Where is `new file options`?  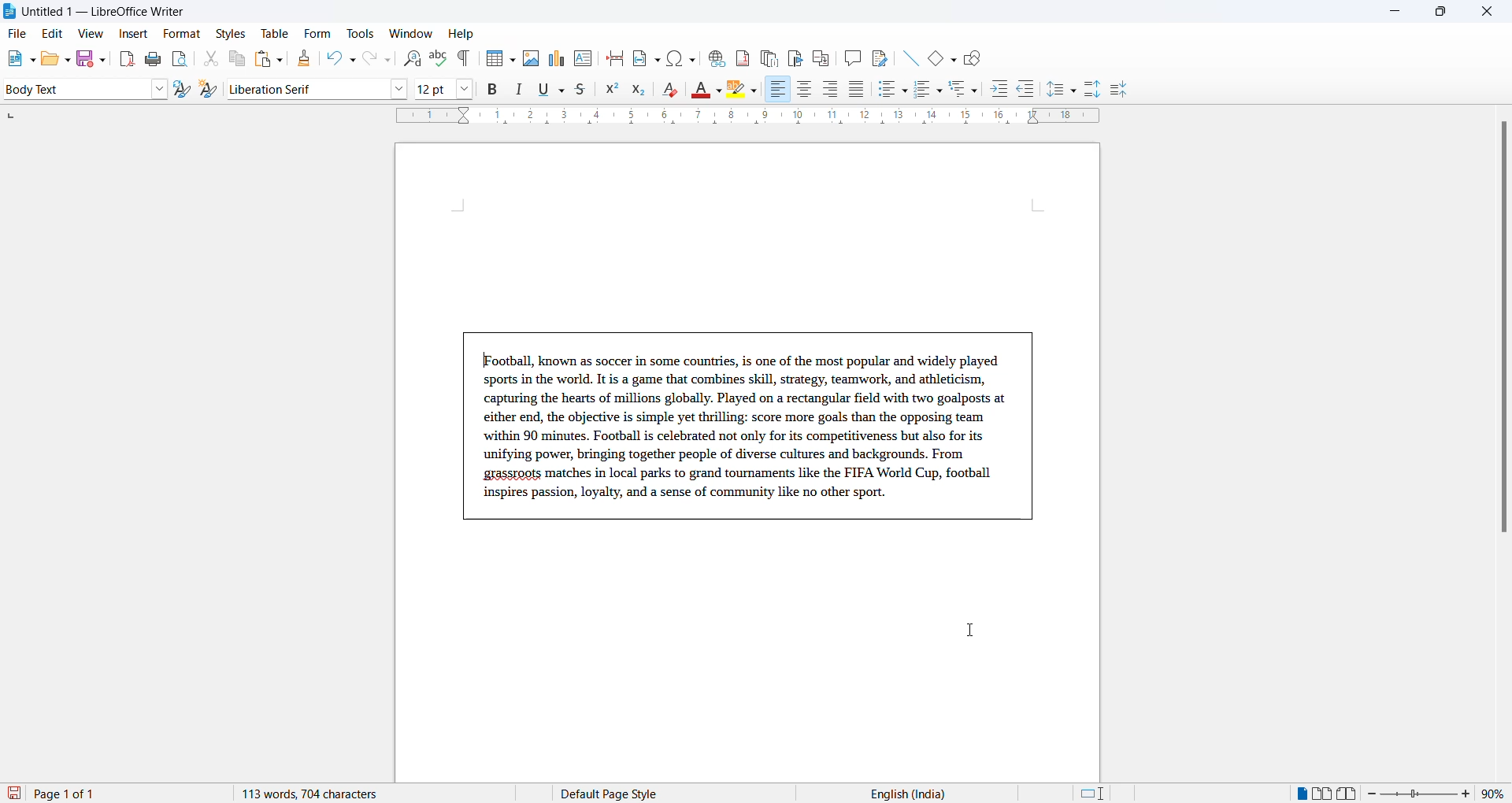
new file options is located at coordinates (17, 60).